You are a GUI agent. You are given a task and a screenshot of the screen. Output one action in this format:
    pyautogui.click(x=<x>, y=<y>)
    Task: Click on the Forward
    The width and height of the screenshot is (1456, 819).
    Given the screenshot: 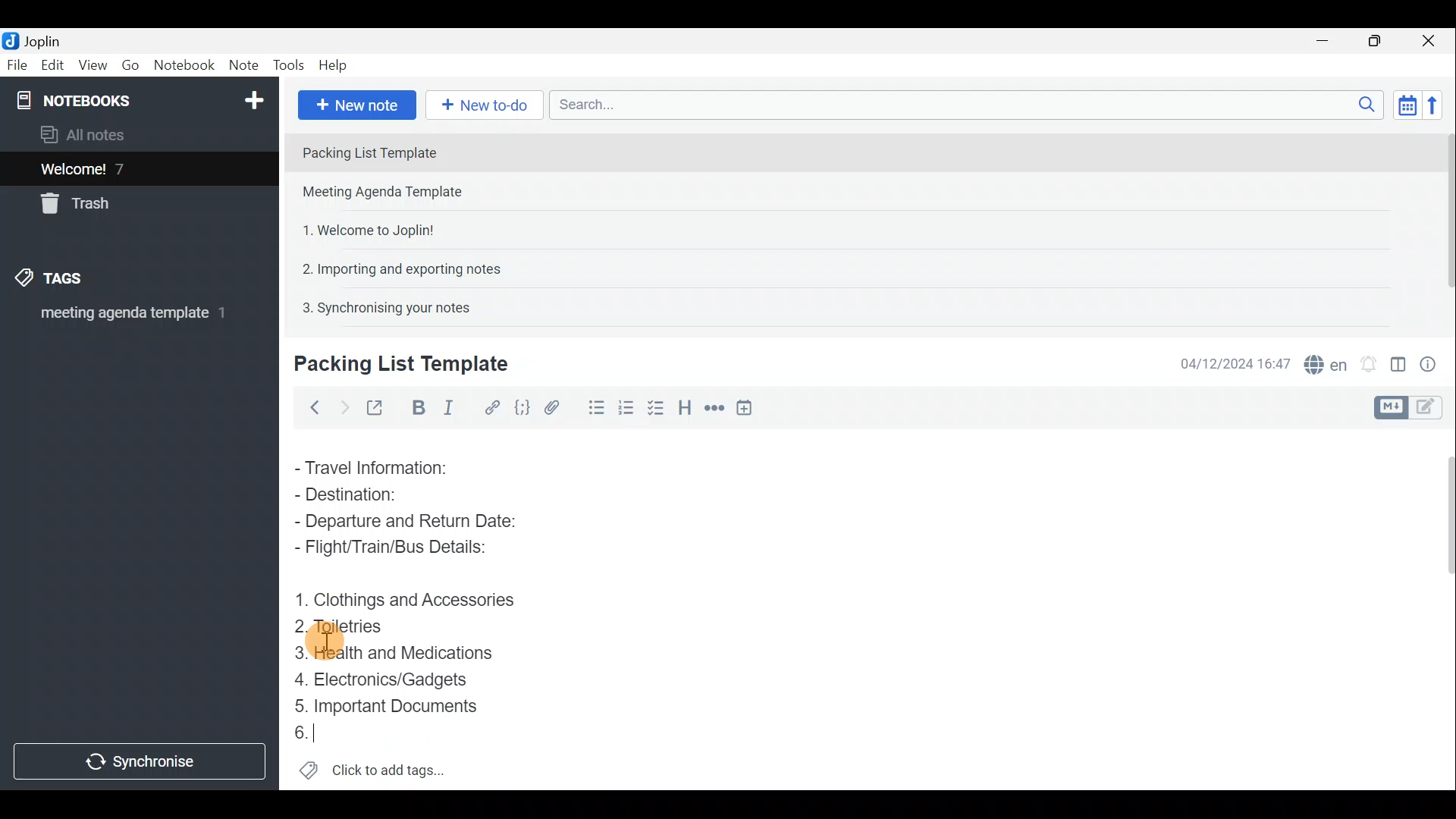 What is the action you would take?
    pyautogui.click(x=341, y=406)
    